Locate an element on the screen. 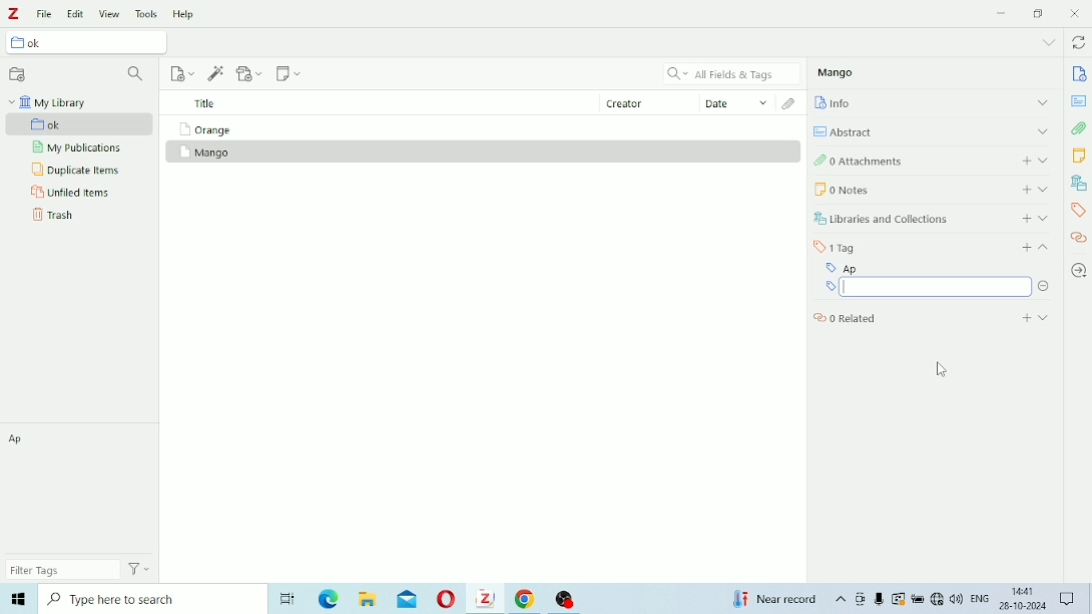  Related is located at coordinates (1079, 237).